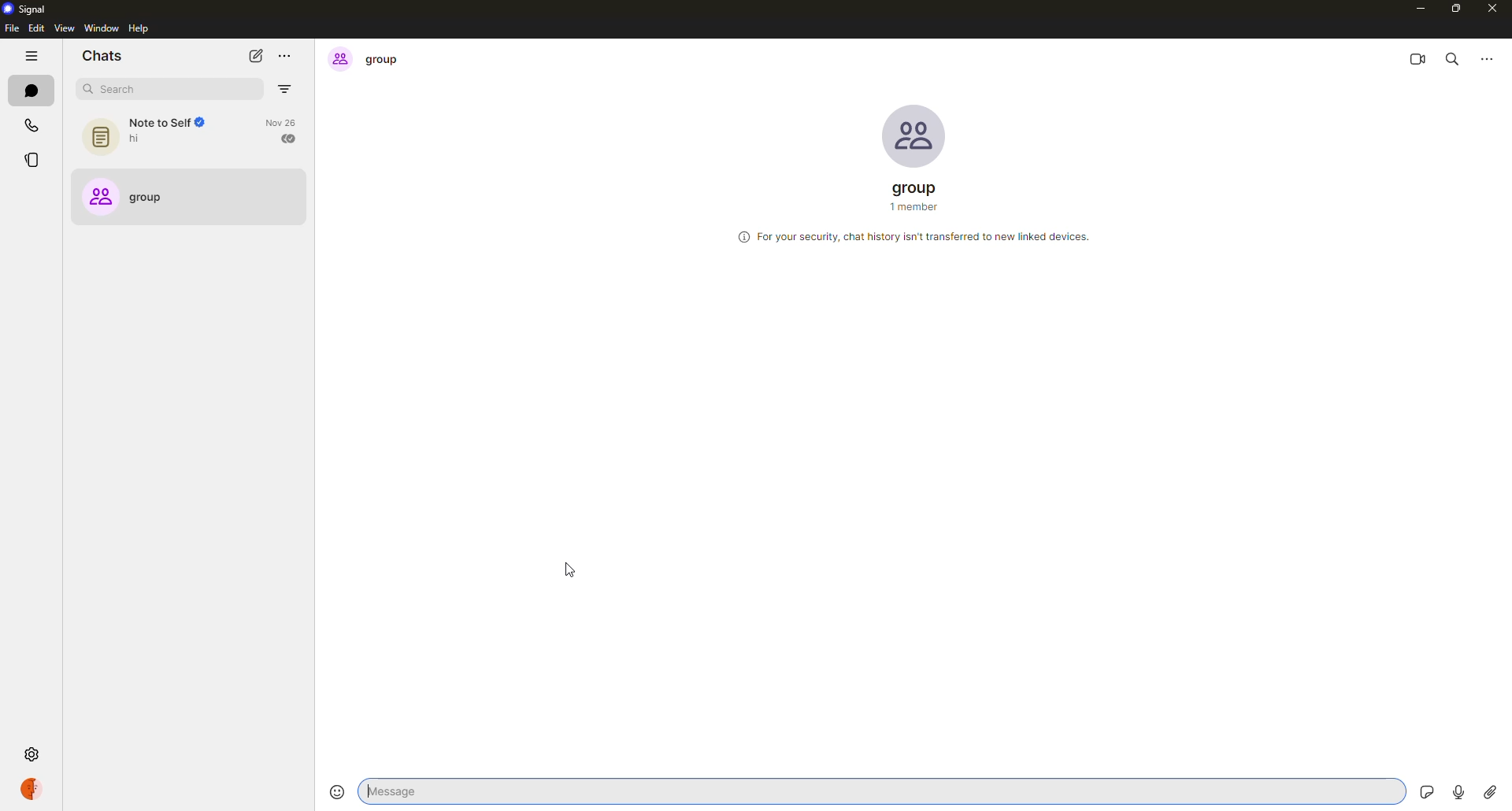  Describe the element at coordinates (1417, 57) in the screenshot. I see `video call` at that location.